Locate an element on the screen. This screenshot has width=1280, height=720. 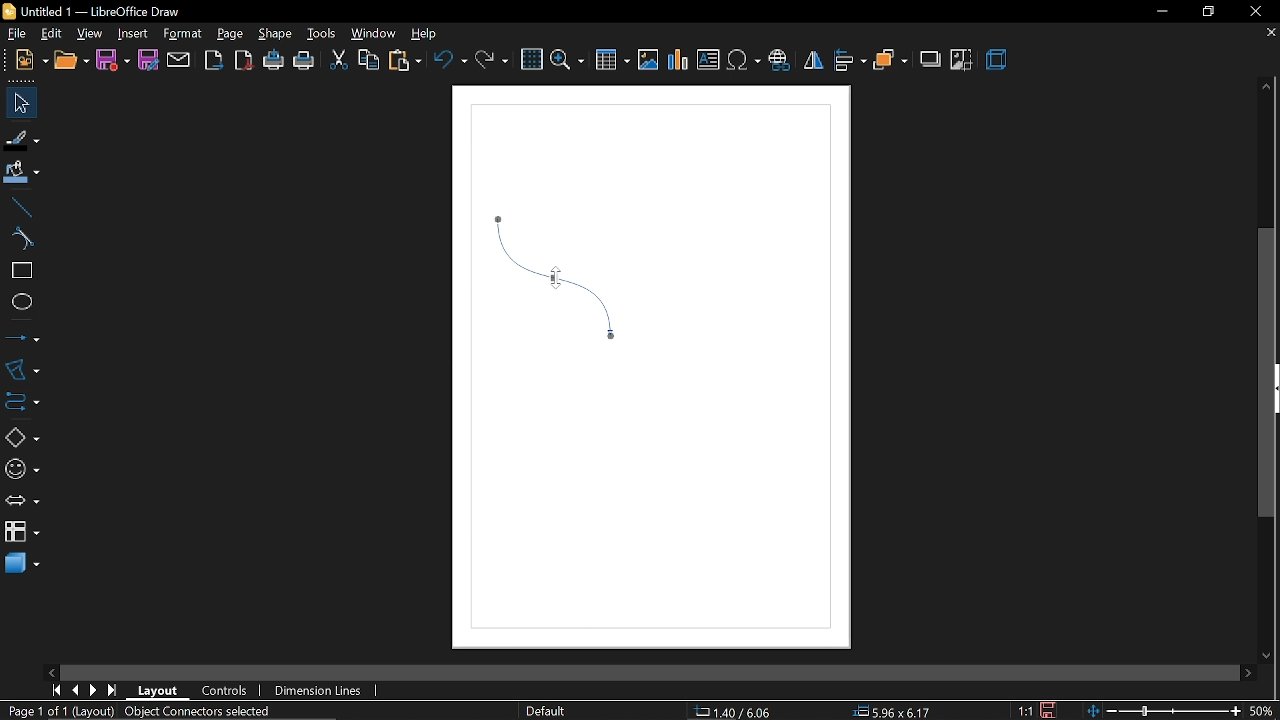
shape is located at coordinates (272, 33).